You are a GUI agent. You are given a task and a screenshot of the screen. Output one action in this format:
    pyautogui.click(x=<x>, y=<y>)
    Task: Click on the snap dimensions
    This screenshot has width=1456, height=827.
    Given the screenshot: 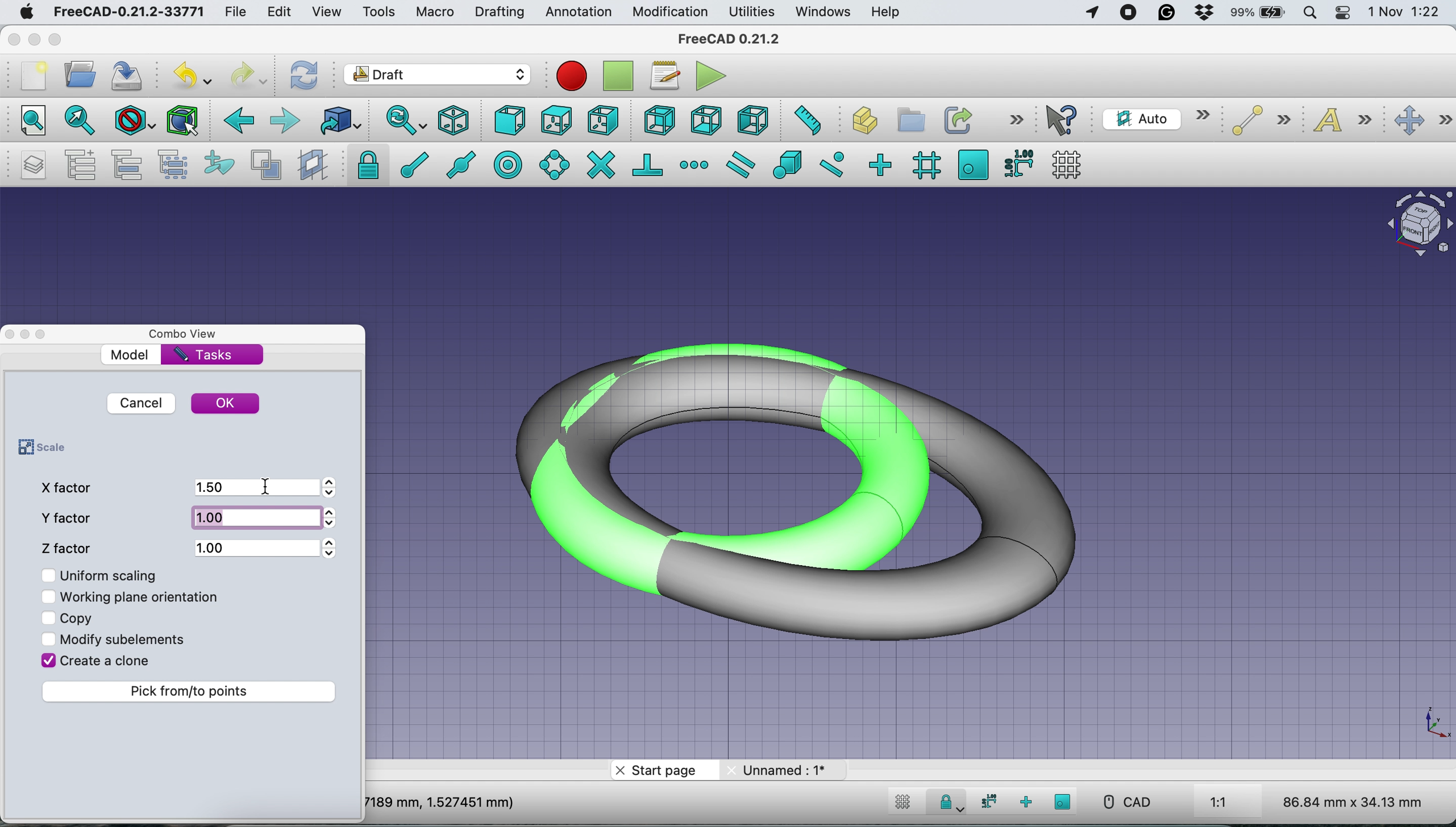 What is the action you would take?
    pyautogui.click(x=987, y=801)
    